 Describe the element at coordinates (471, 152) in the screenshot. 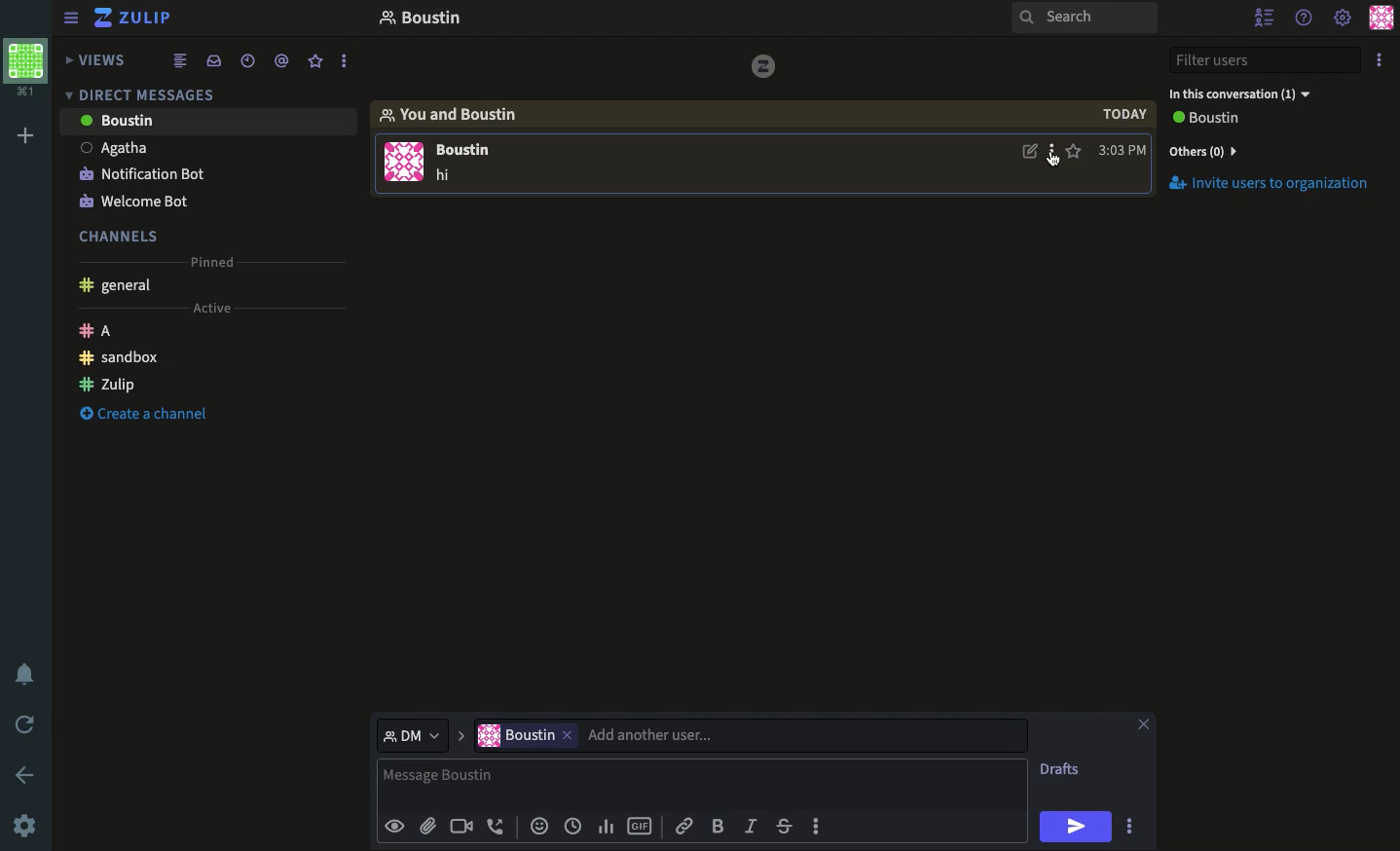

I see `USER` at that location.